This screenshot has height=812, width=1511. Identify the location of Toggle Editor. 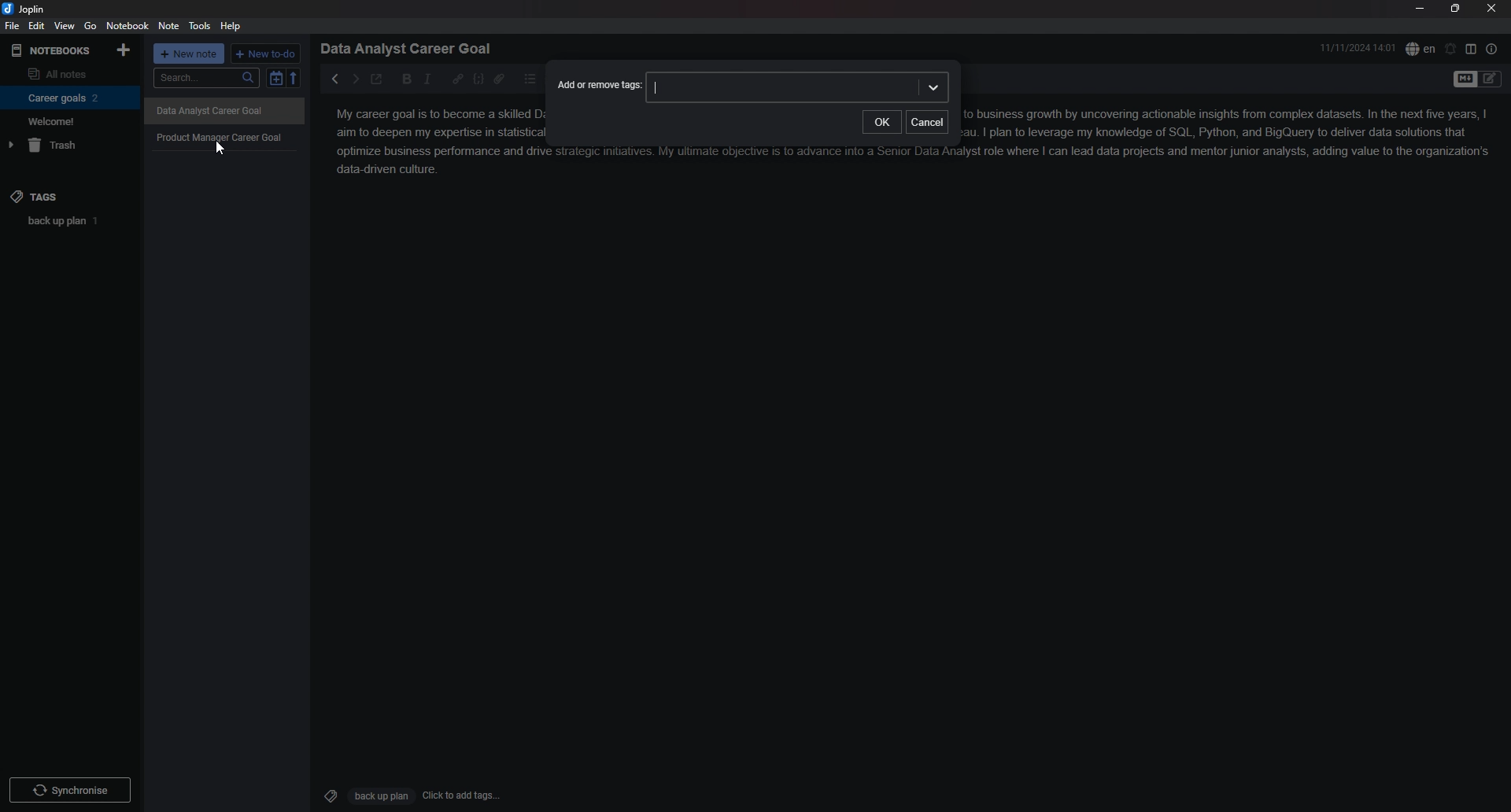
(1491, 80).